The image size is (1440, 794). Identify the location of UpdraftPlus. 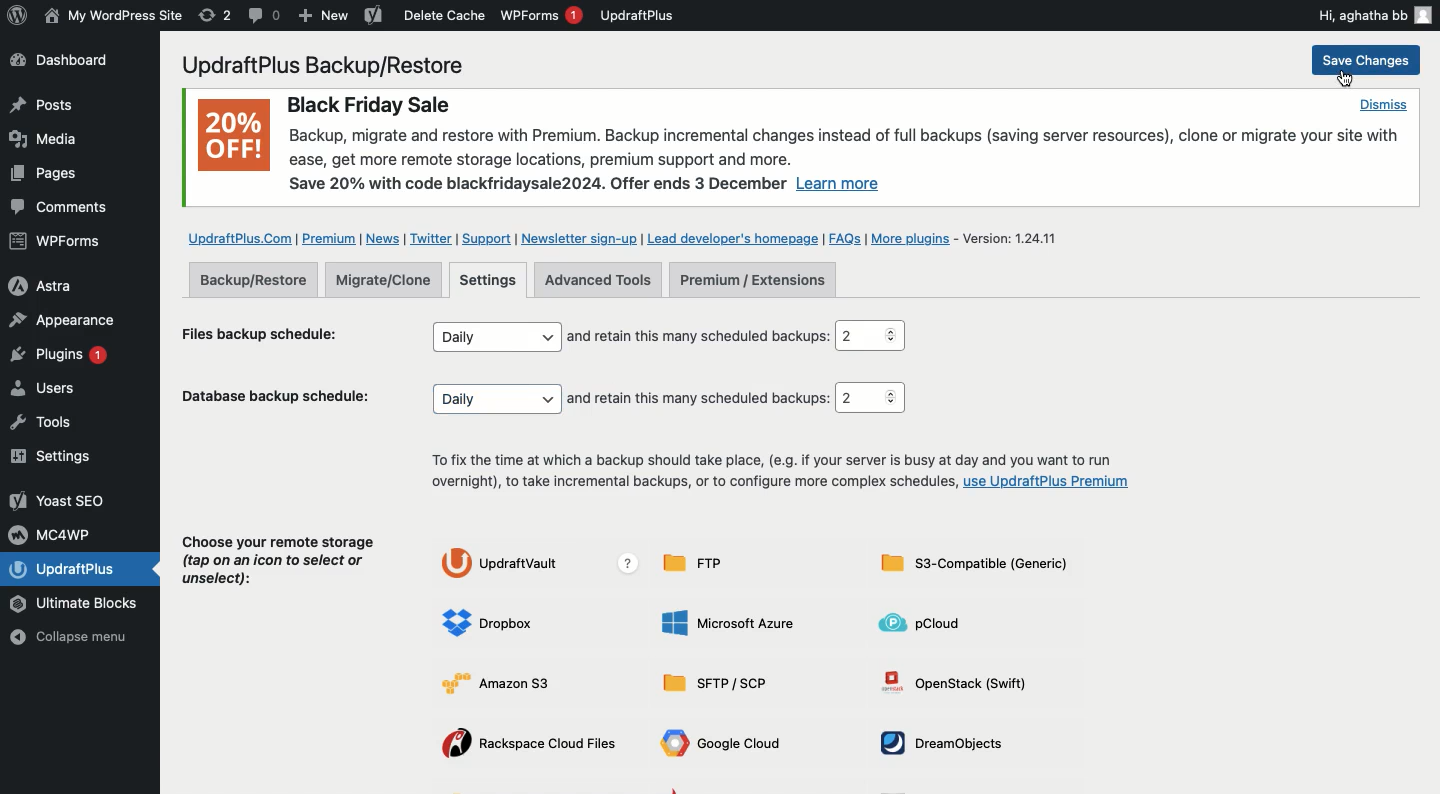
(83, 569).